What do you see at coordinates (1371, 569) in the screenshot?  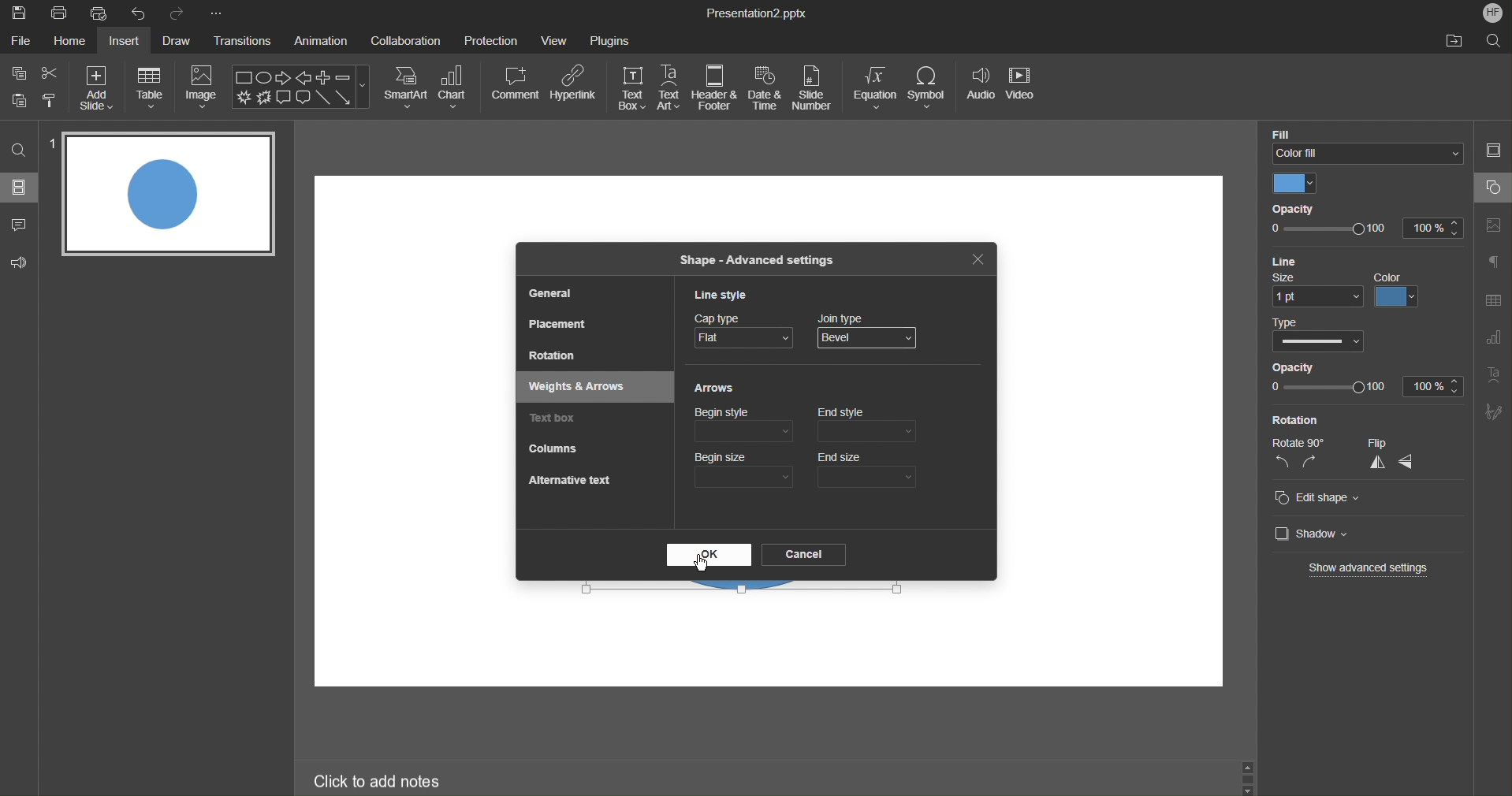 I see `Show advanced settings` at bounding box center [1371, 569].